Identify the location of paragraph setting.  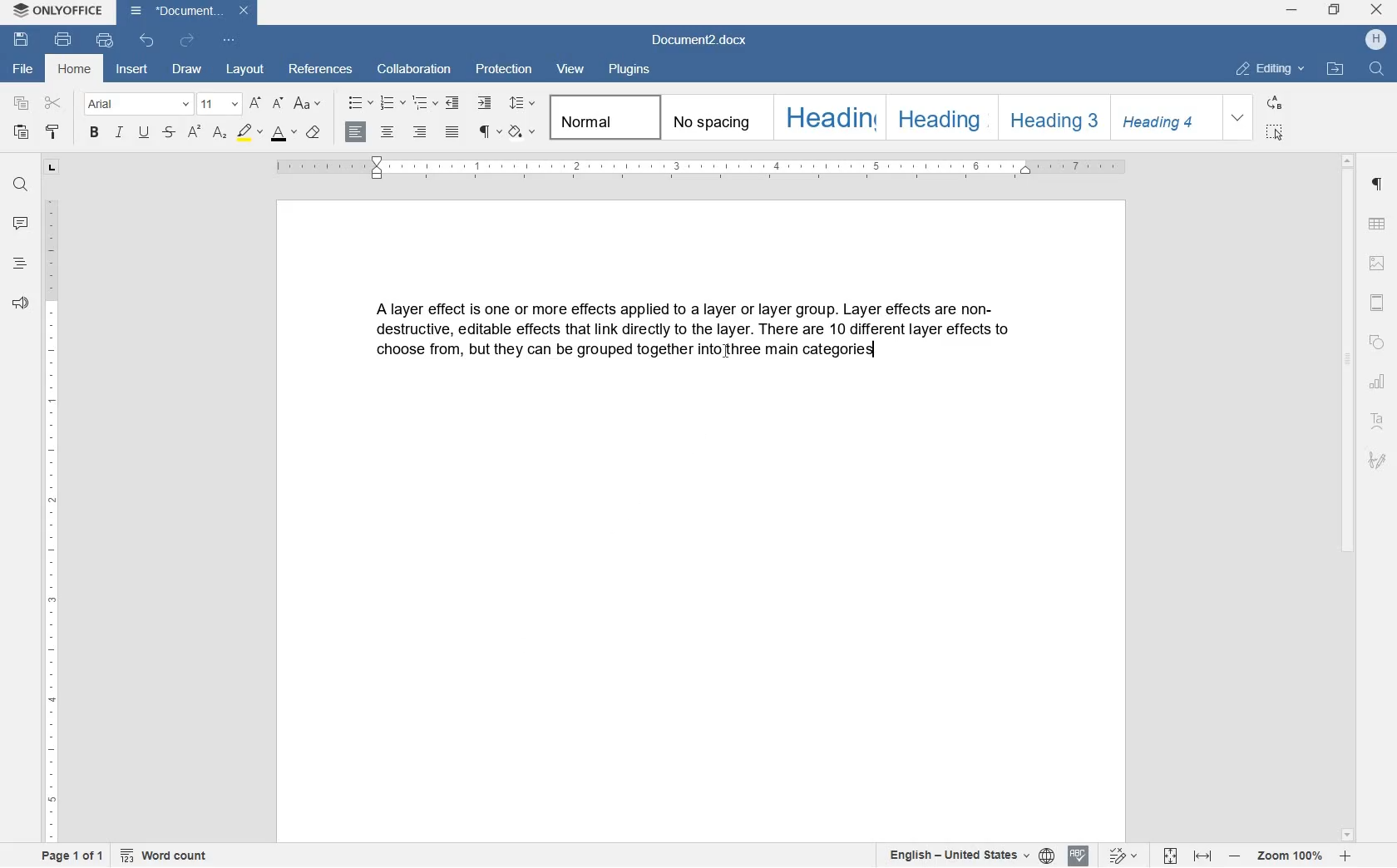
(1378, 185).